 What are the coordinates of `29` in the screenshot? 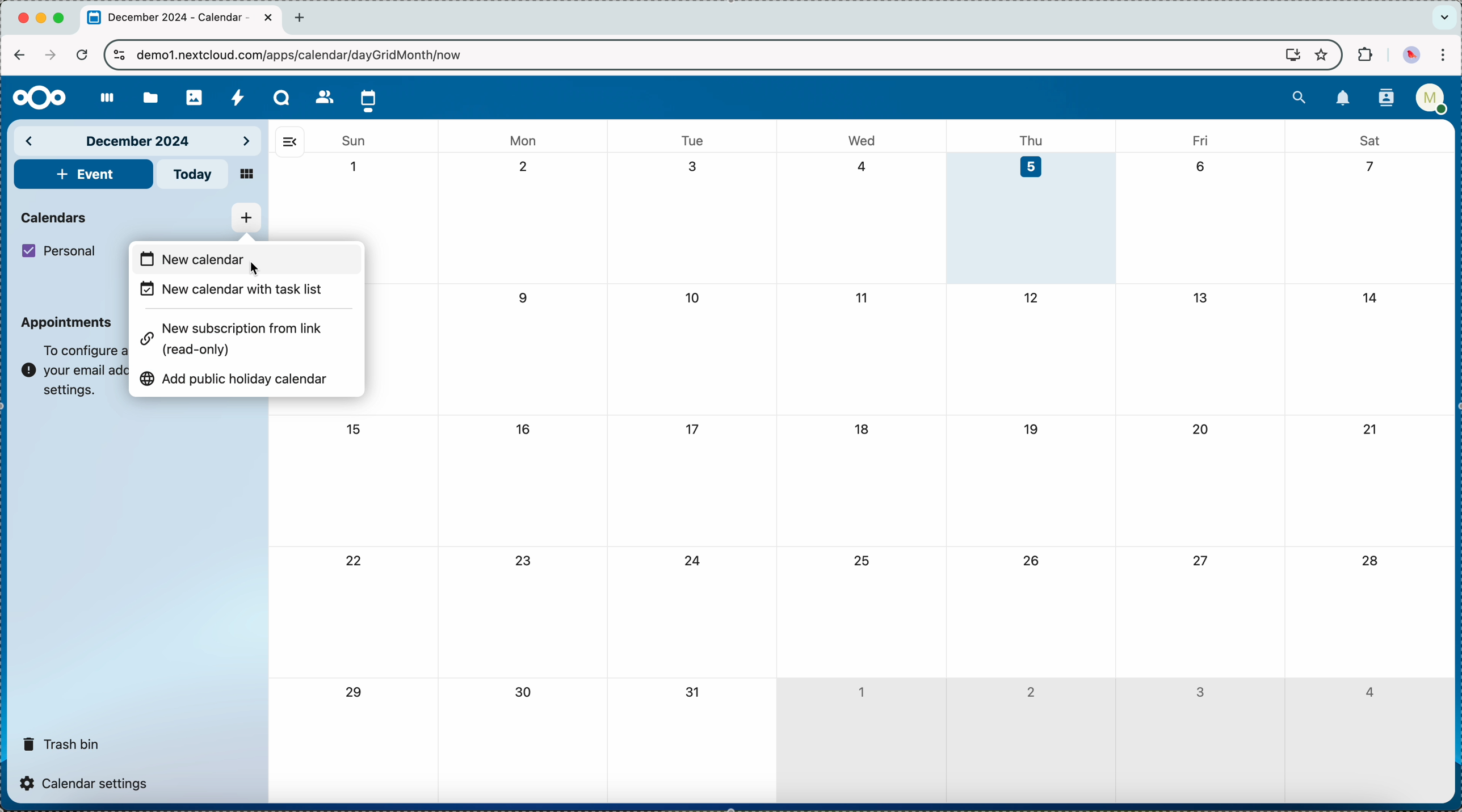 It's located at (352, 693).